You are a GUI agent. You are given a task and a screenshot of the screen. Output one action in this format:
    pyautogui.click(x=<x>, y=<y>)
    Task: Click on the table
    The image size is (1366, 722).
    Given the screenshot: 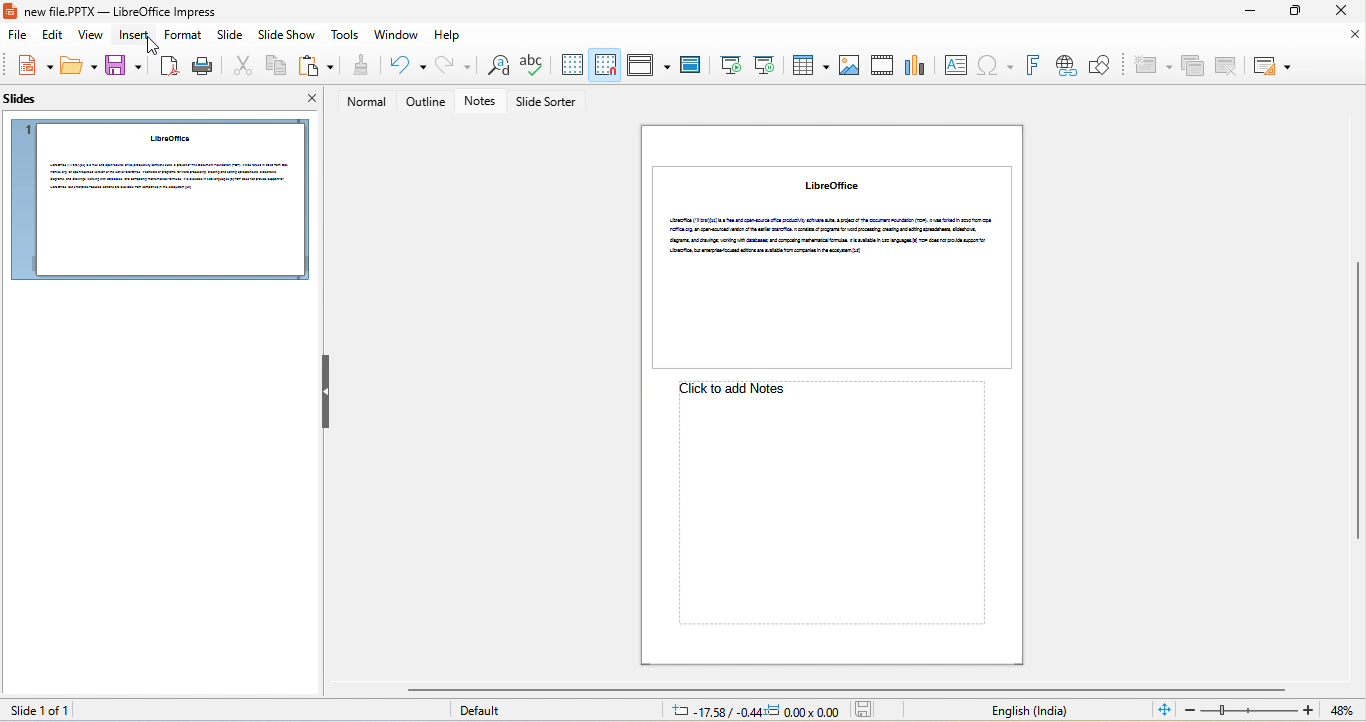 What is the action you would take?
    pyautogui.click(x=808, y=64)
    